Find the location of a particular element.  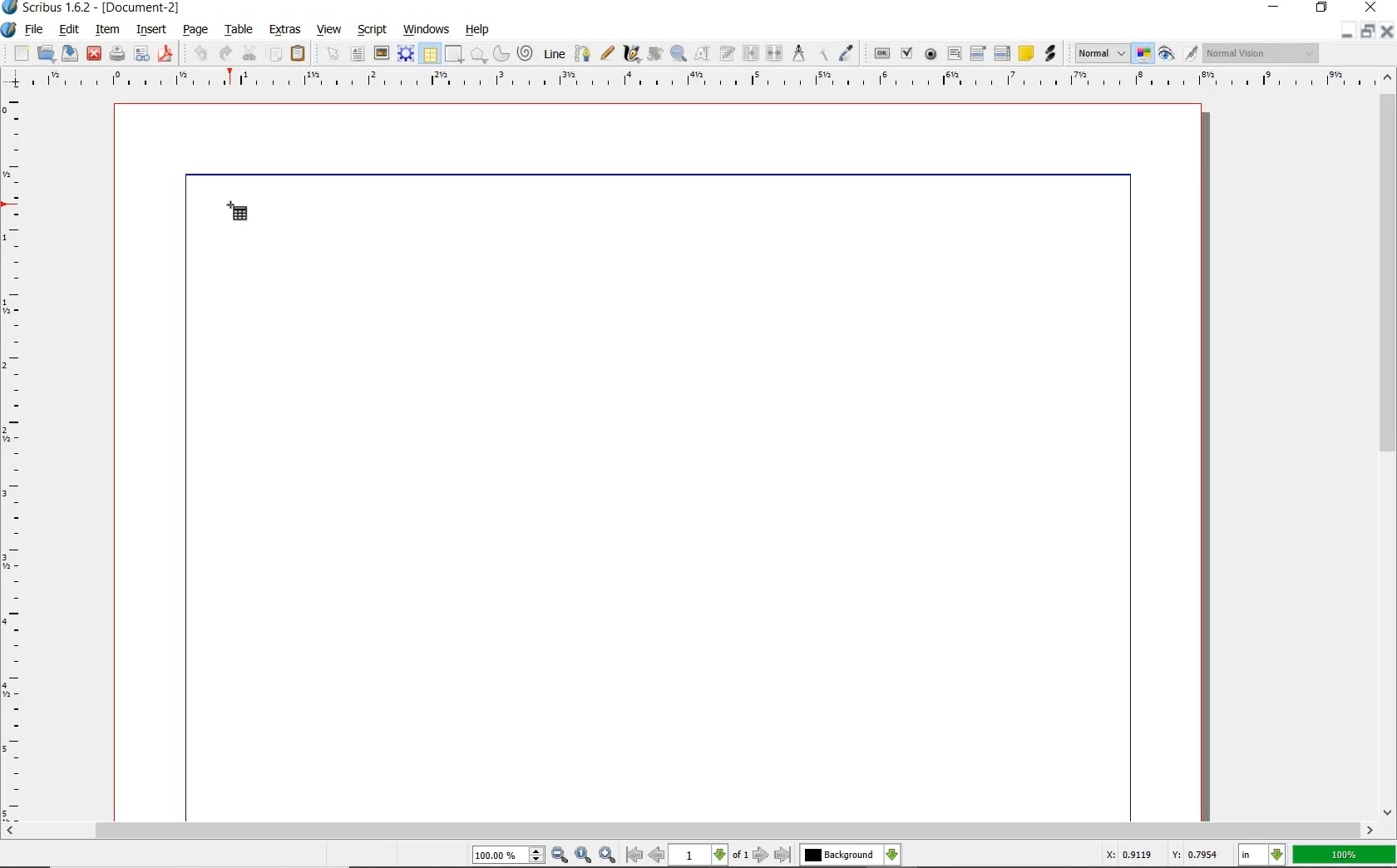

unlink text frame is located at coordinates (772, 54).